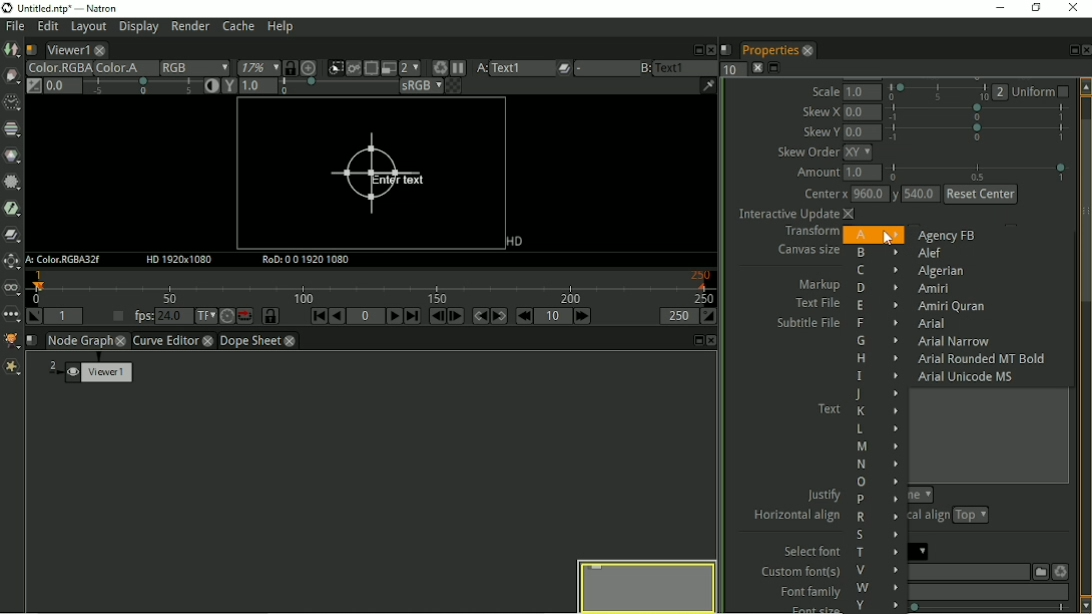 The image size is (1092, 614). I want to click on Minimize/maximize all panels, so click(776, 68).